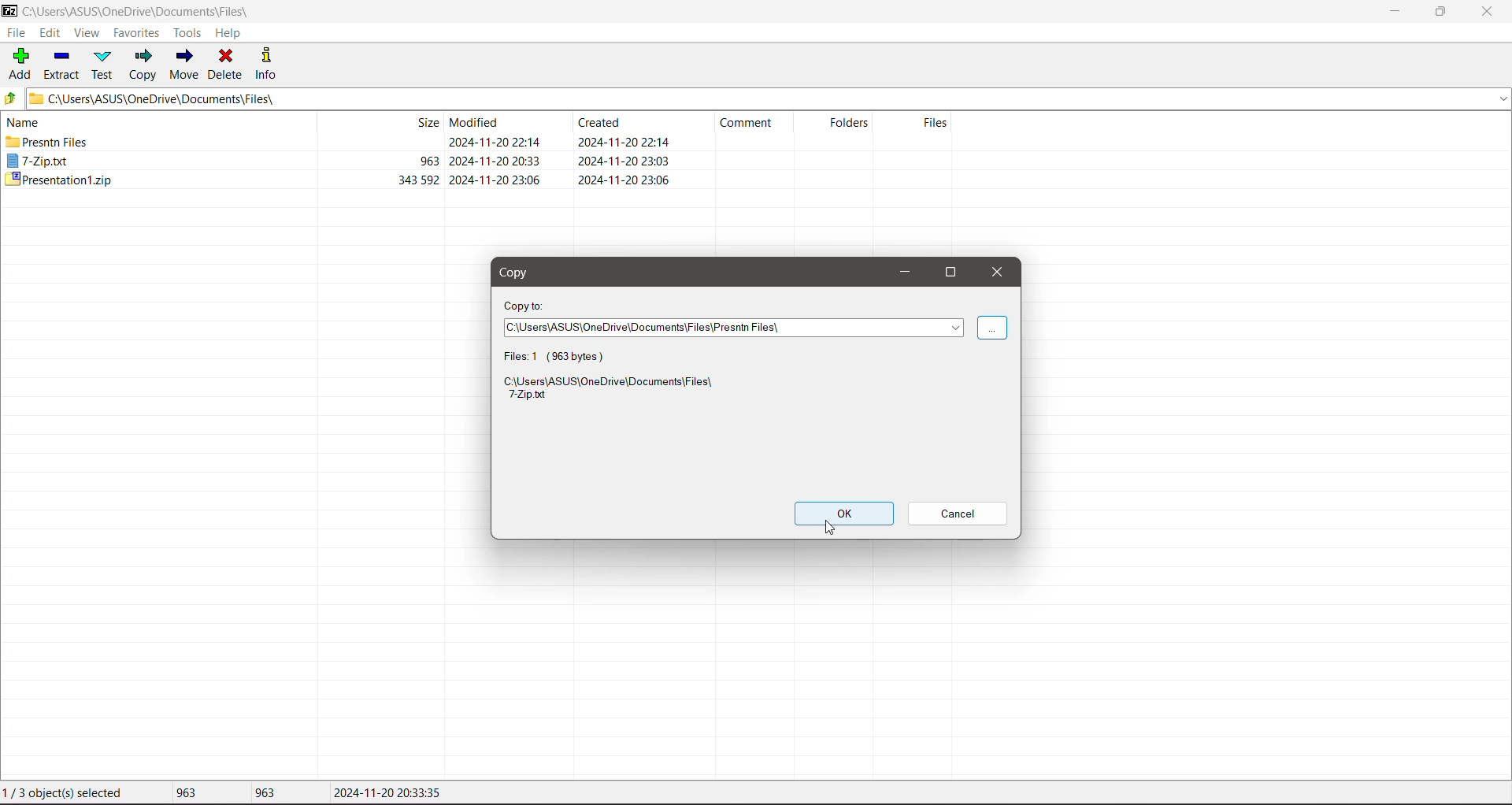 The image size is (1512, 805). What do you see at coordinates (135, 32) in the screenshot?
I see `Favorites` at bounding box center [135, 32].